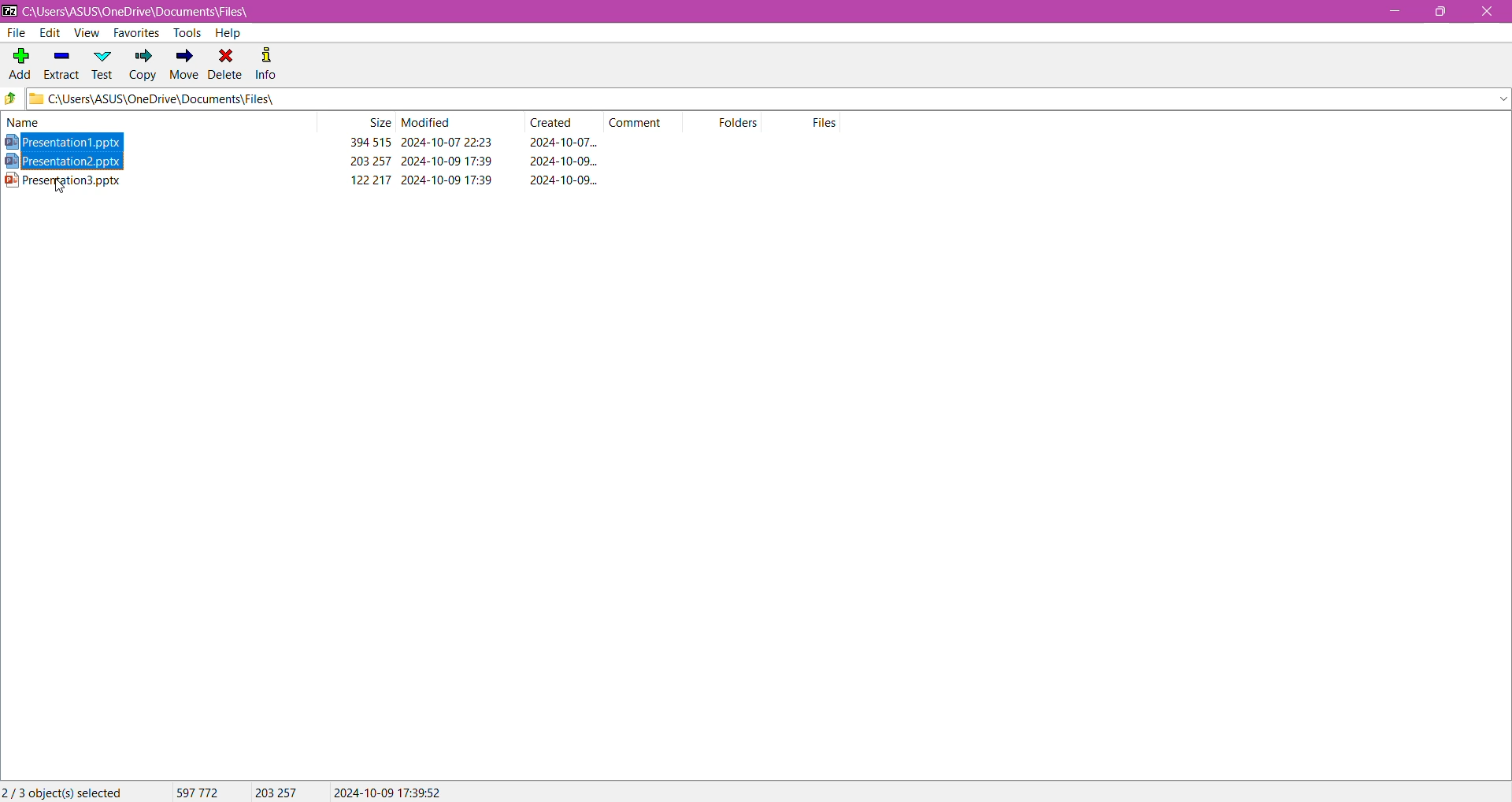  Describe the element at coordinates (19, 59) in the screenshot. I see `Add` at that location.